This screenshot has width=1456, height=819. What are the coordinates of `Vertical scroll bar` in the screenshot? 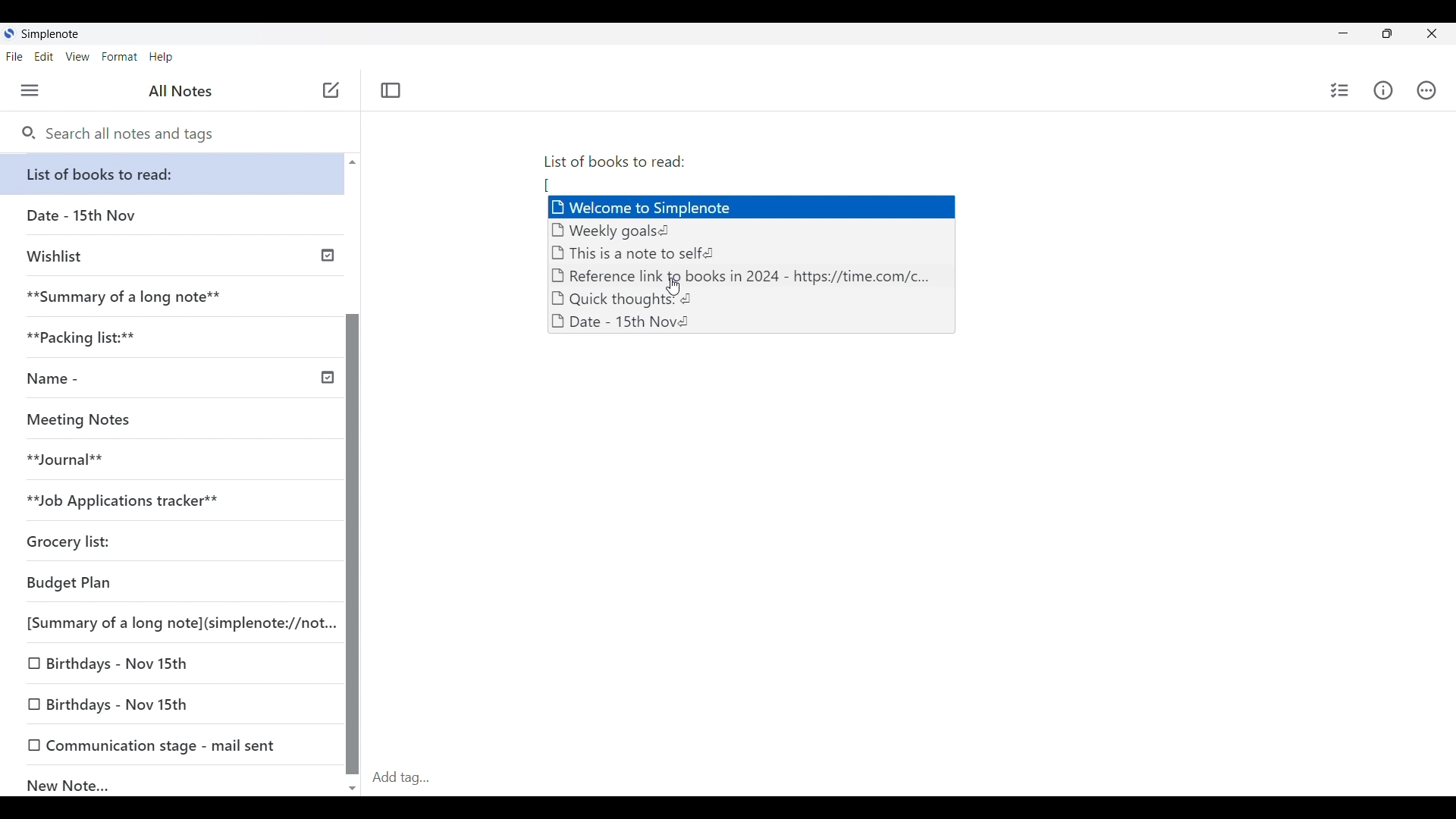 It's located at (352, 473).